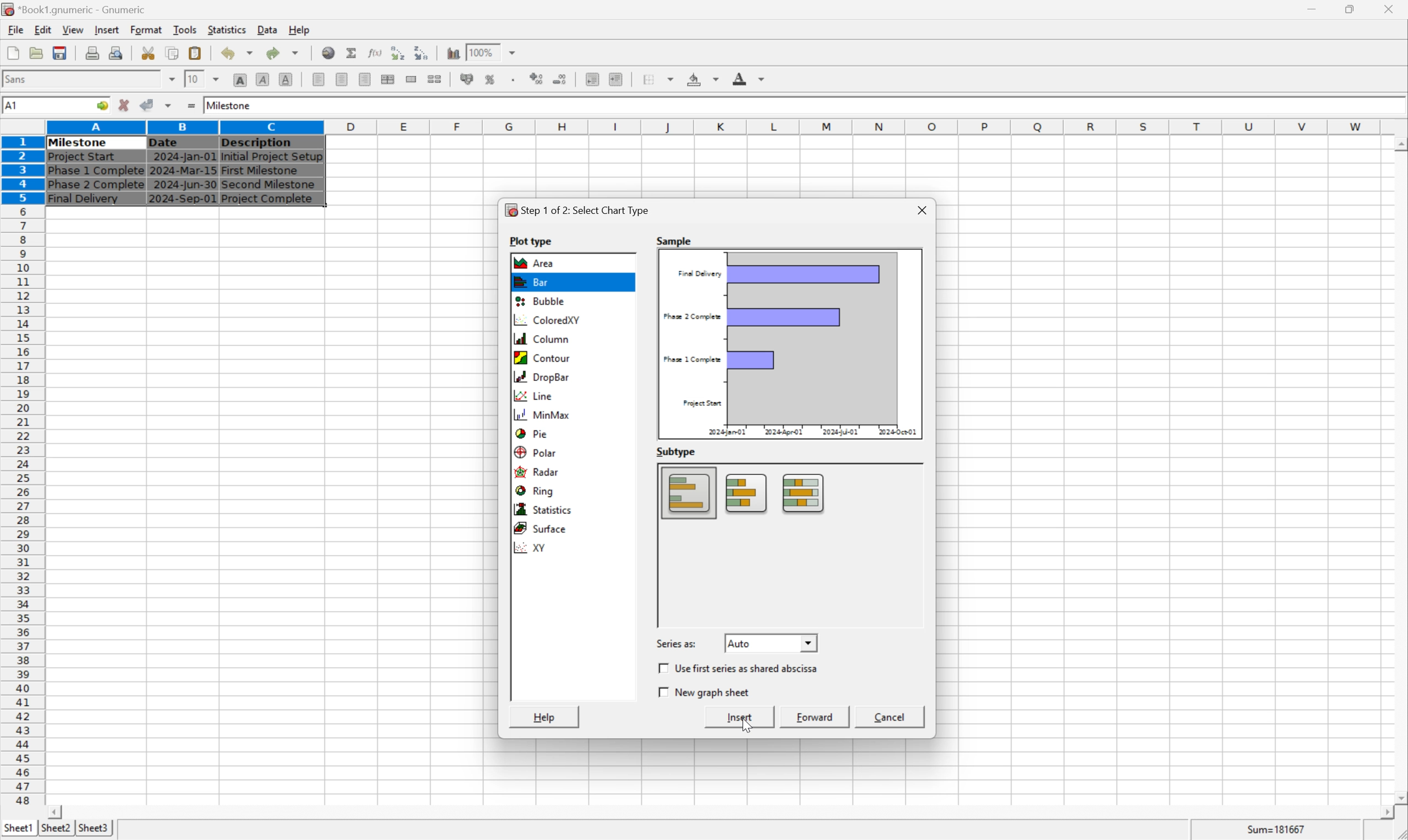 The height and width of the screenshot is (840, 1408). I want to click on use first sheet as shared abscissa, so click(742, 669).